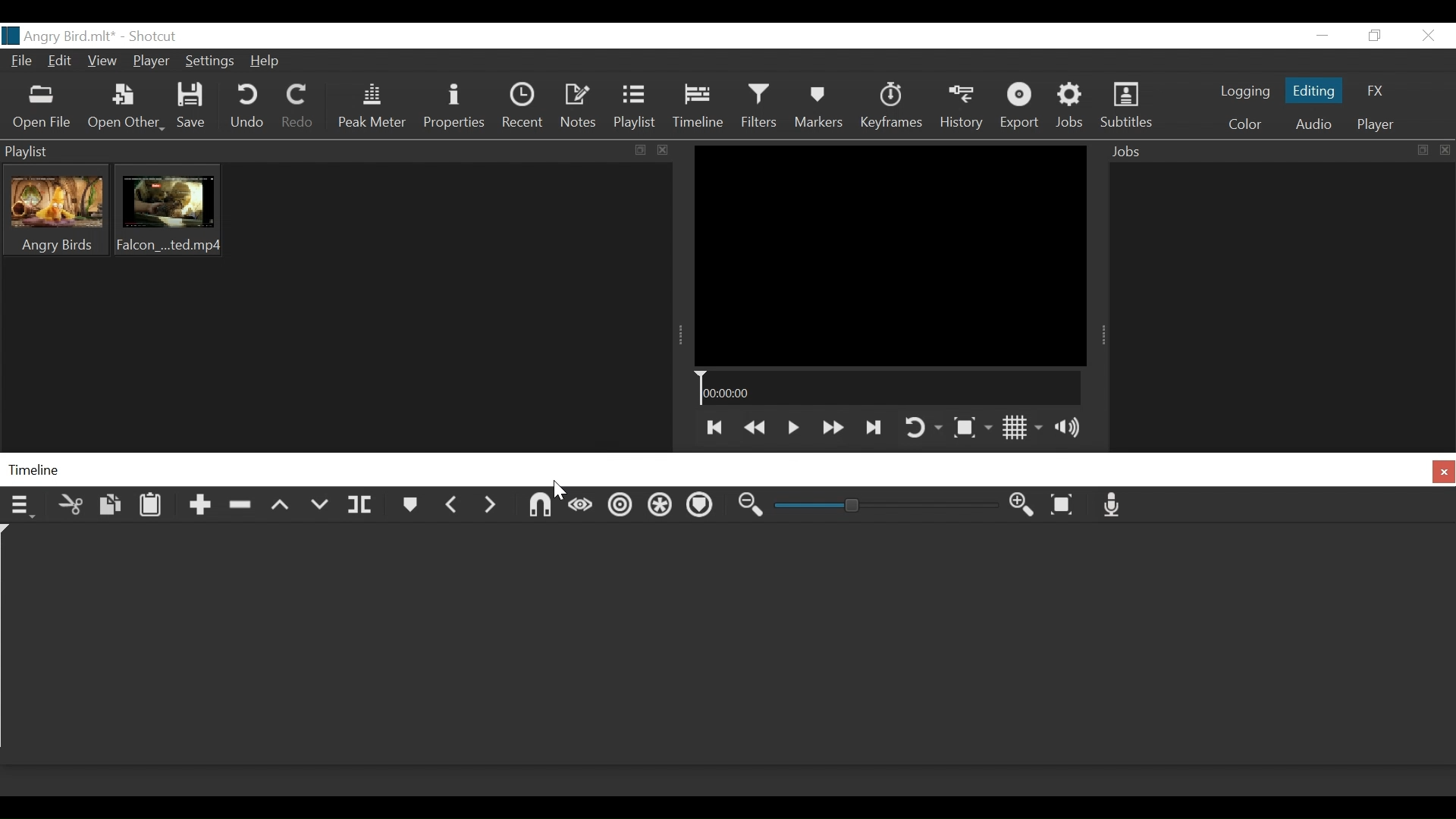 The height and width of the screenshot is (819, 1456). Describe the element at coordinates (752, 508) in the screenshot. I see `Zoom timeline in` at that location.